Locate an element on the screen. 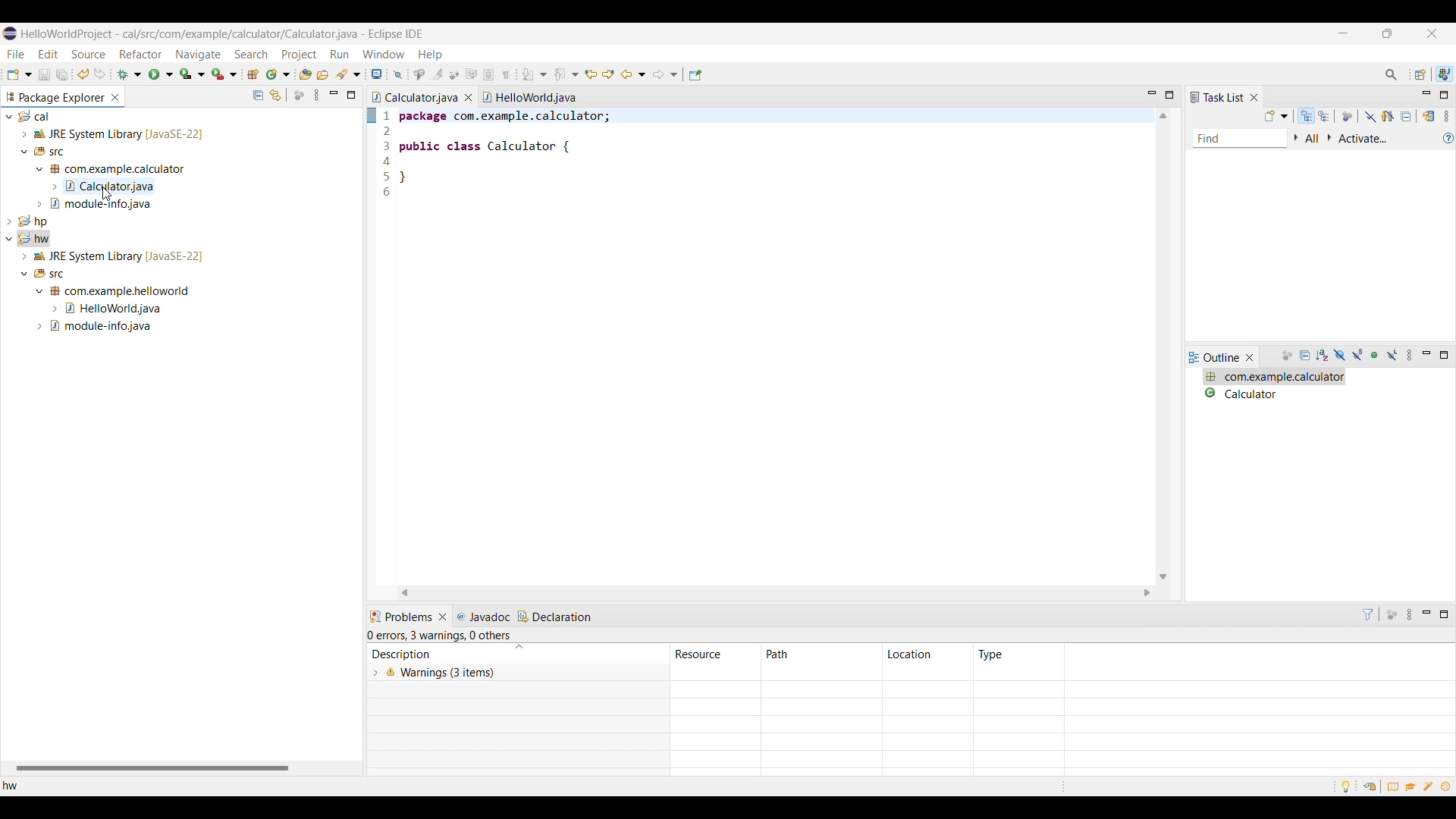 The width and height of the screenshot is (1456, 819). Edit is located at coordinates (48, 53).